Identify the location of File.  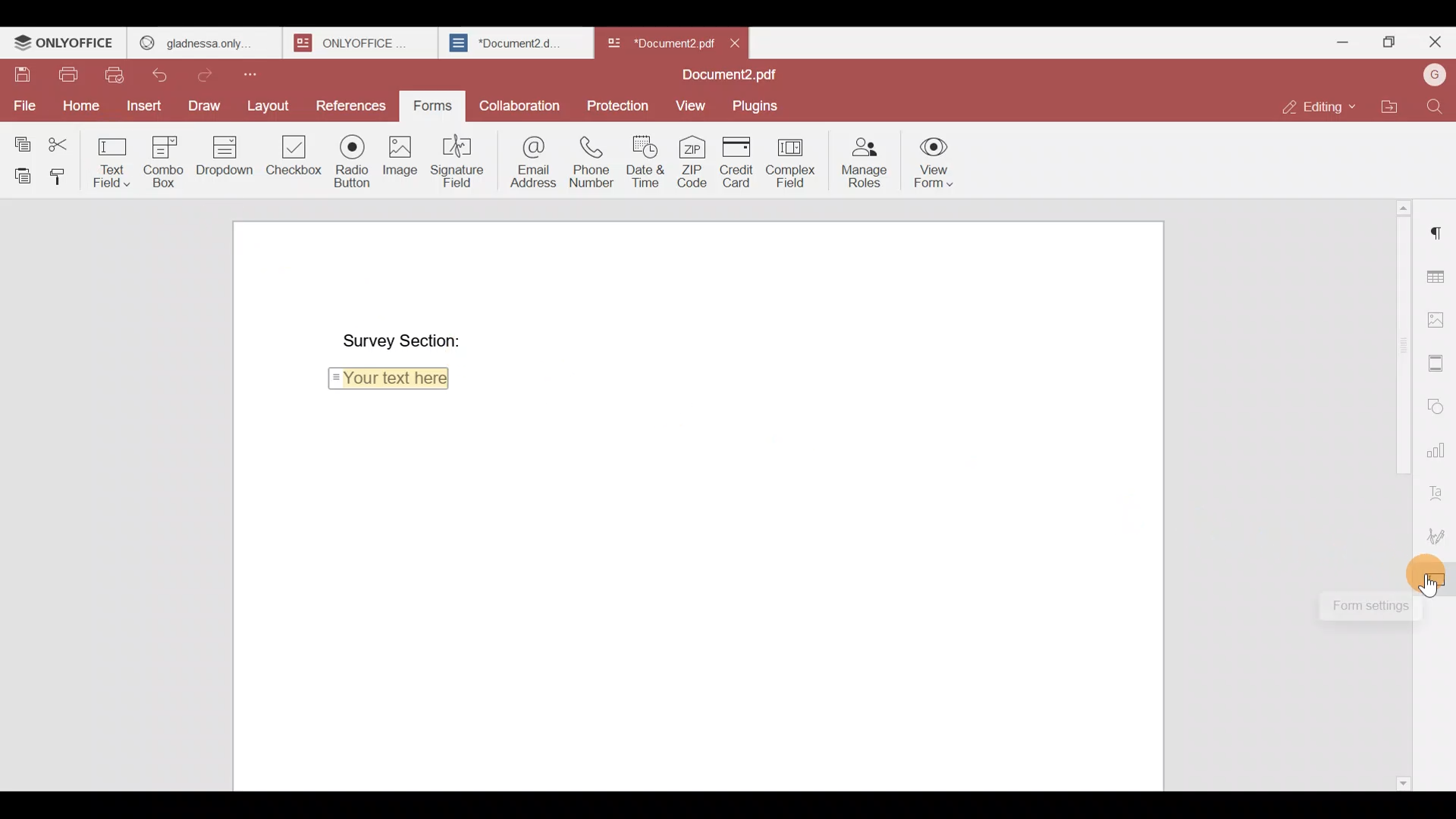
(24, 105).